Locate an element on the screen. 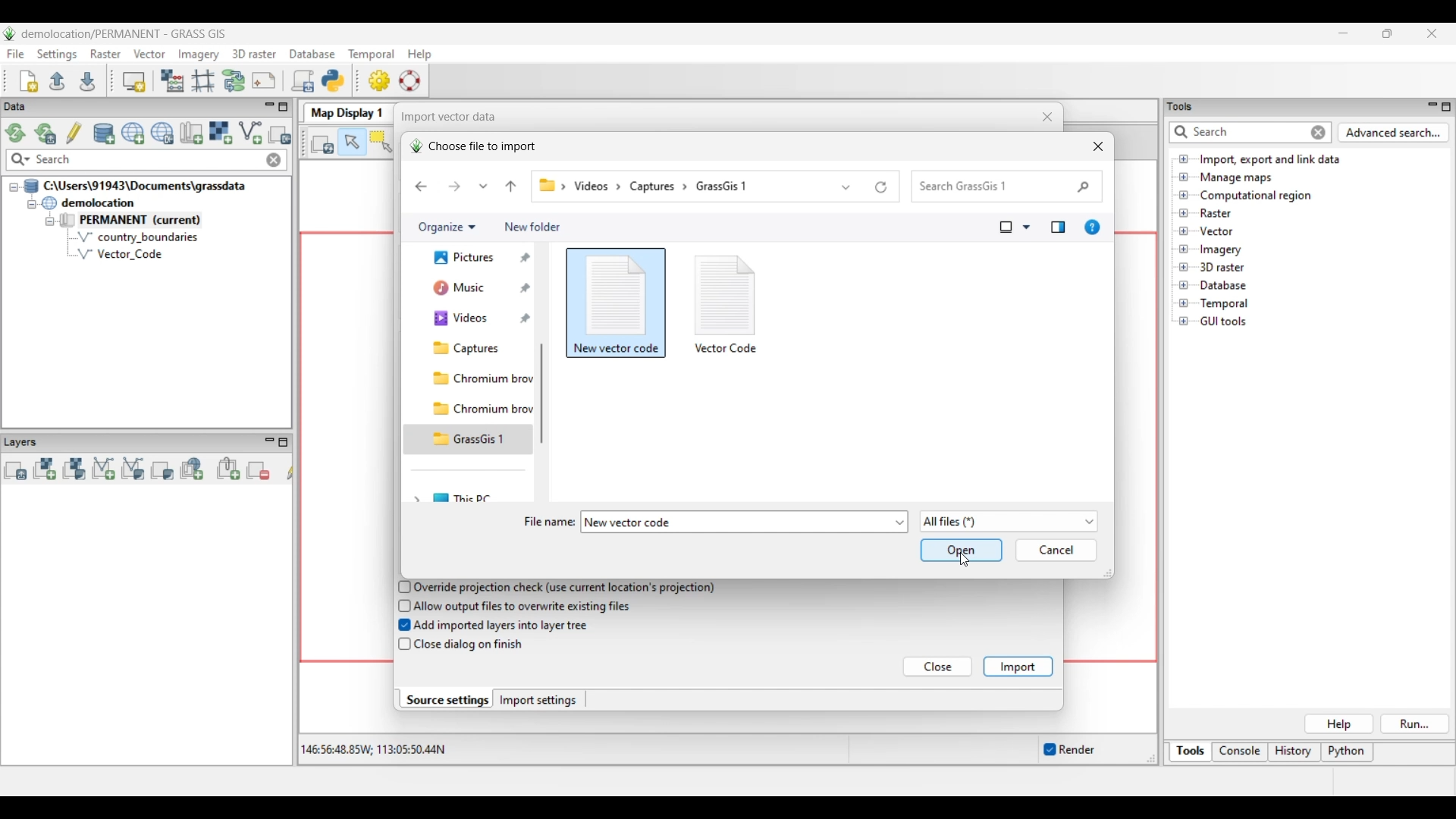 This screenshot has width=1456, height=819. Start new map display is located at coordinates (134, 82).